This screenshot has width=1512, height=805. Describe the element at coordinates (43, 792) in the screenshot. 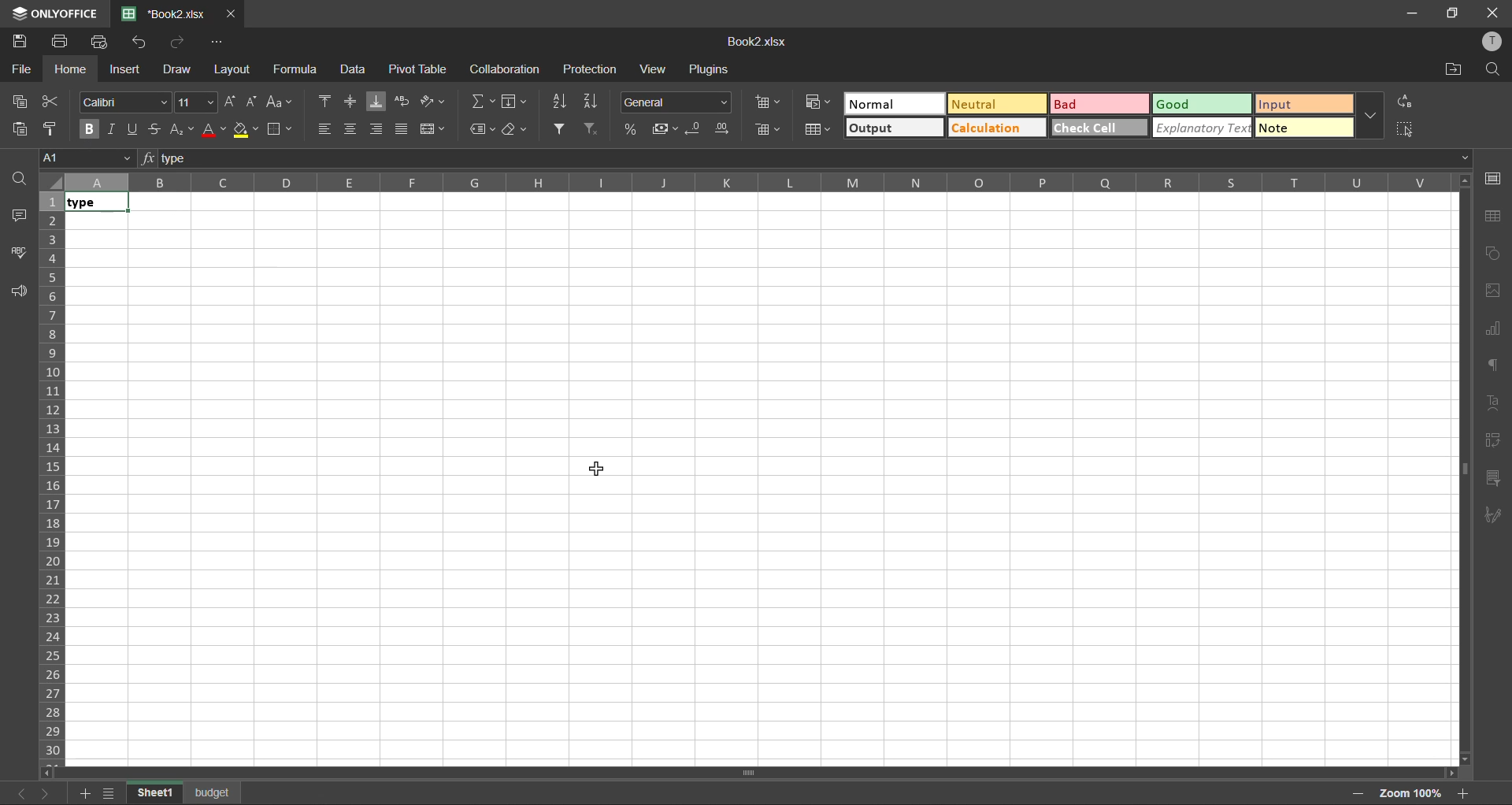

I see `next` at that location.